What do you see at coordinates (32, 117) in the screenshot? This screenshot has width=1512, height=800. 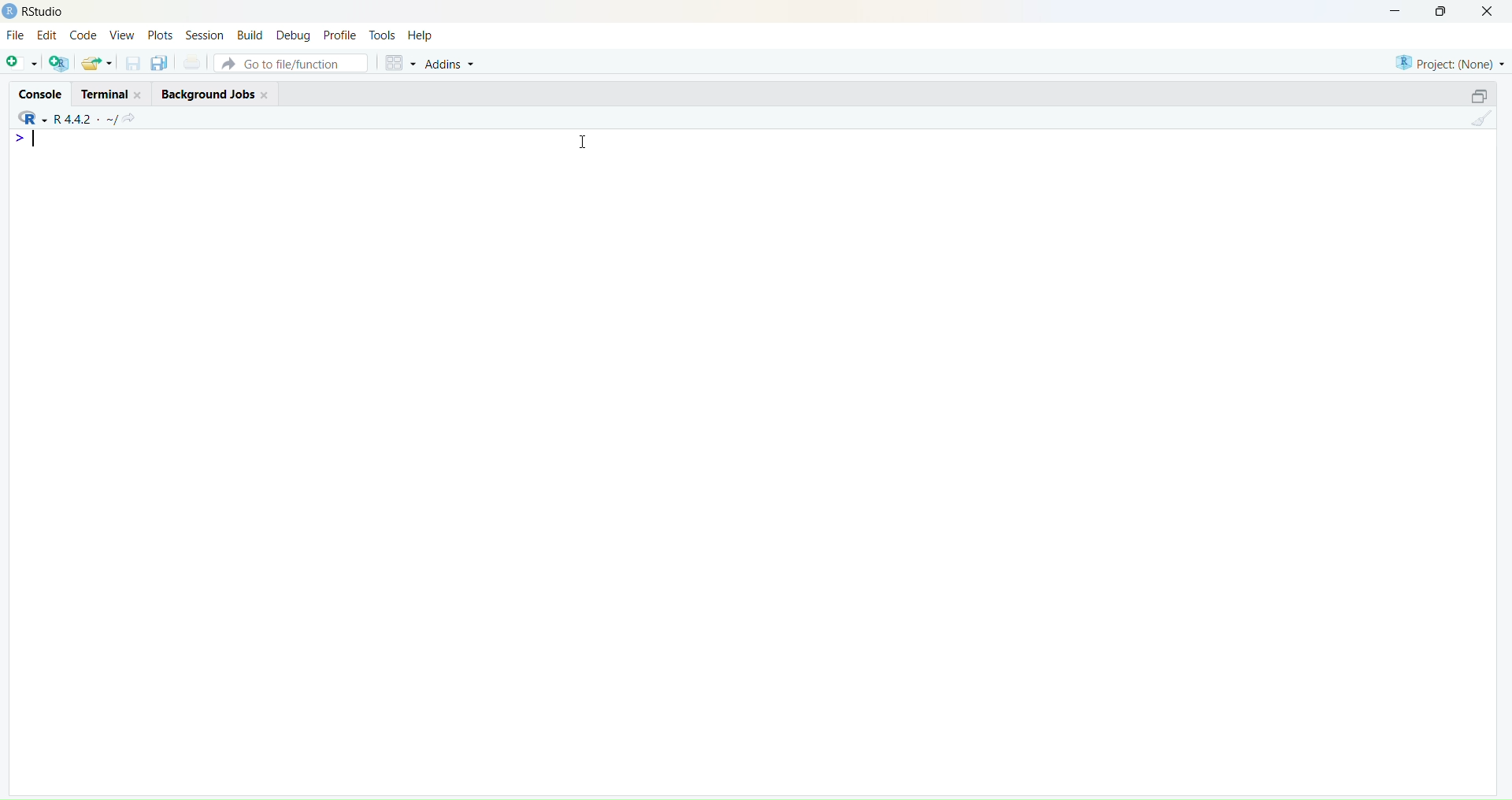 I see `R` at bounding box center [32, 117].